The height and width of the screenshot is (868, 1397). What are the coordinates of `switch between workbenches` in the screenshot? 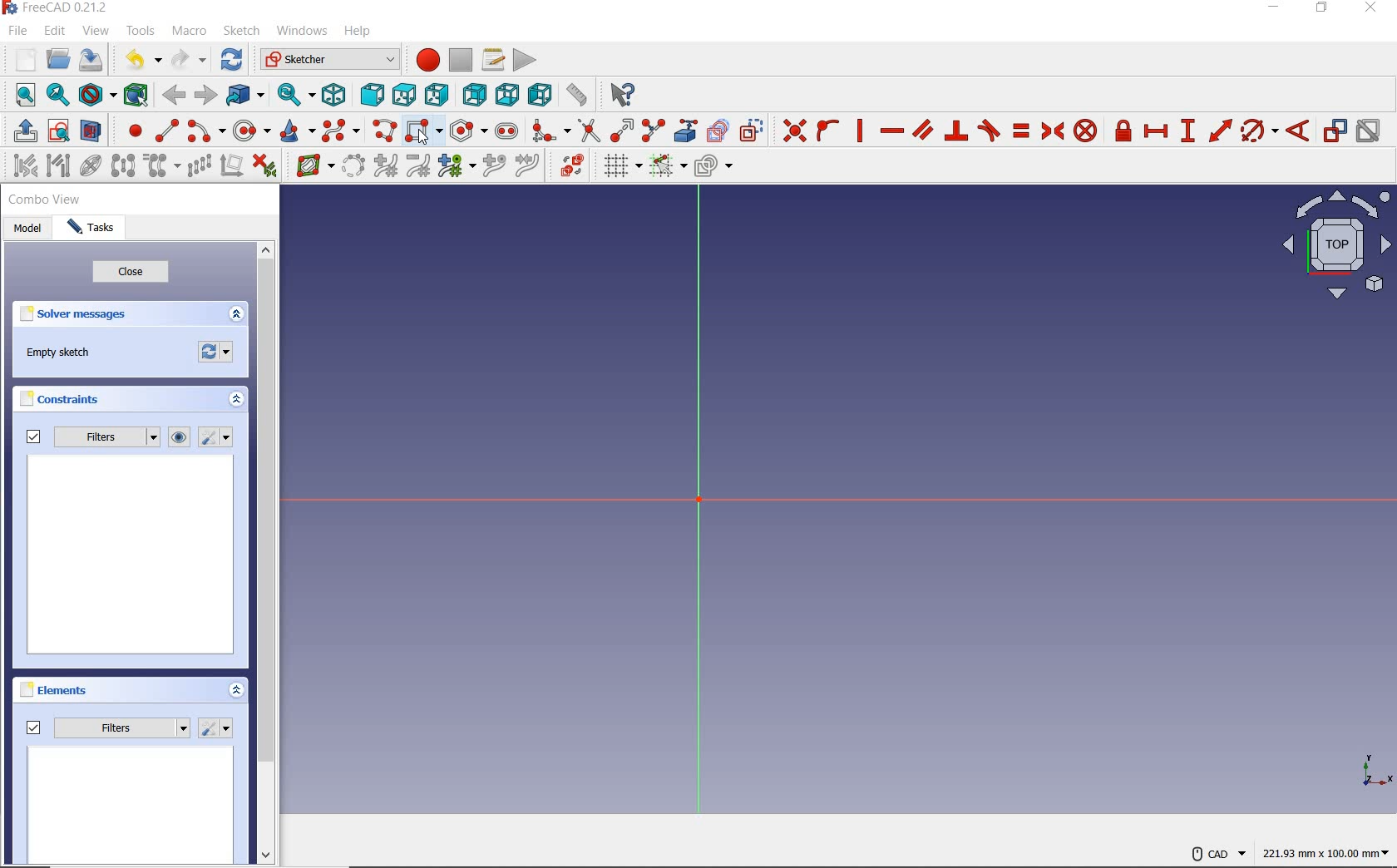 It's located at (327, 60).